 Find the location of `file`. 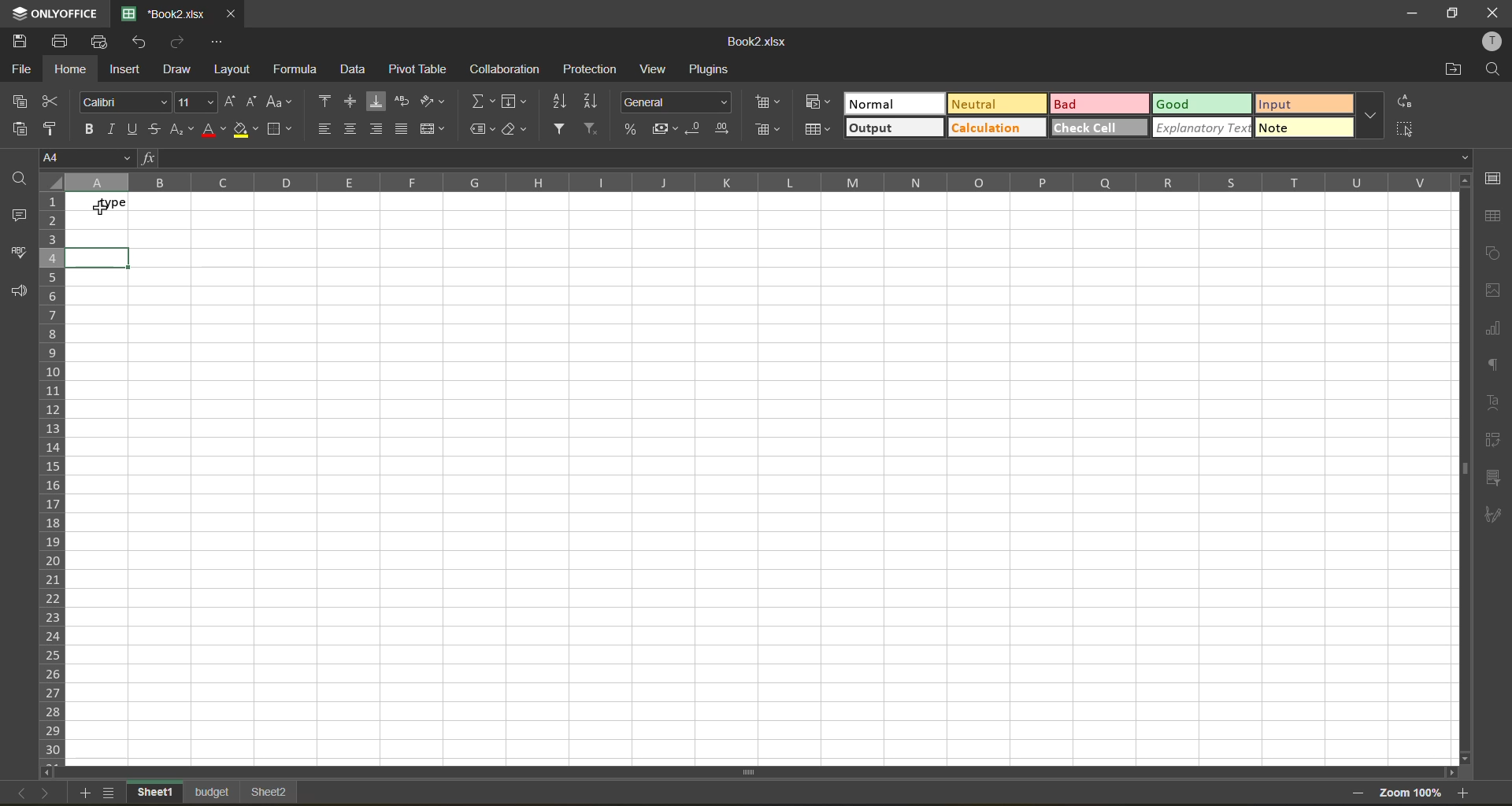

file is located at coordinates (19, 71).